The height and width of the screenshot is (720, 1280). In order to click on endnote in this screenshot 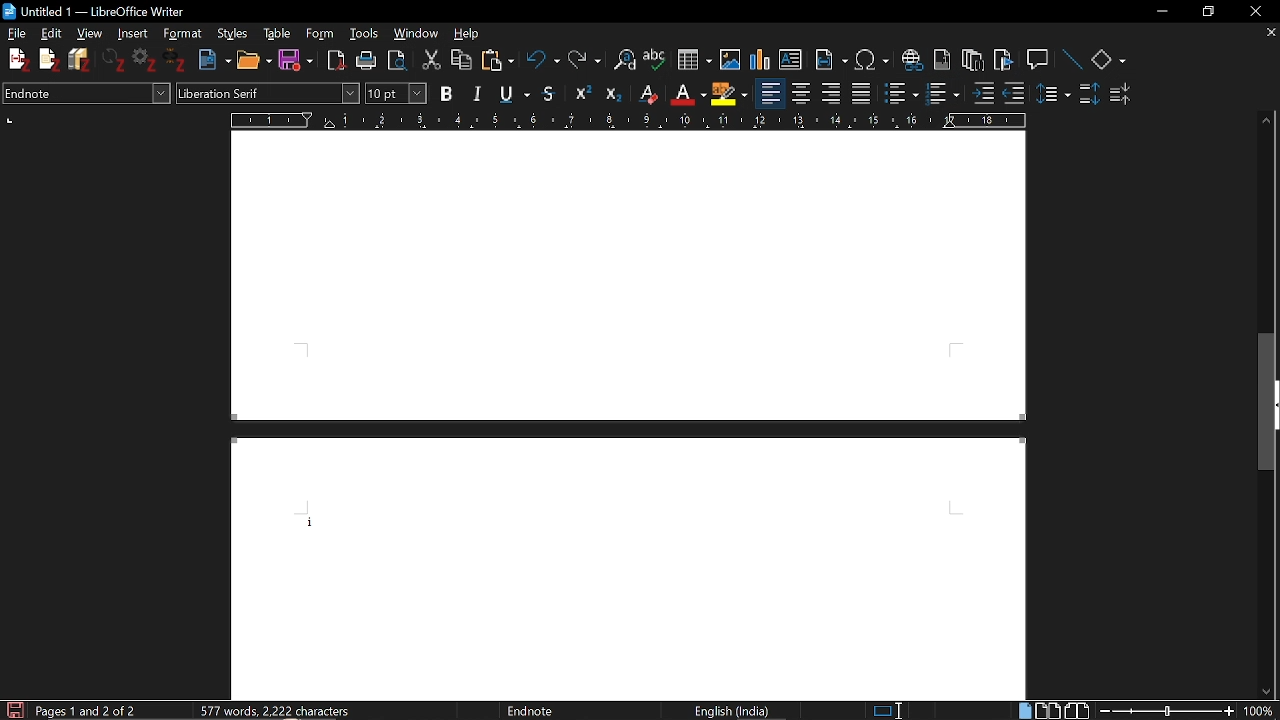, I will do `click(552, 711)`.